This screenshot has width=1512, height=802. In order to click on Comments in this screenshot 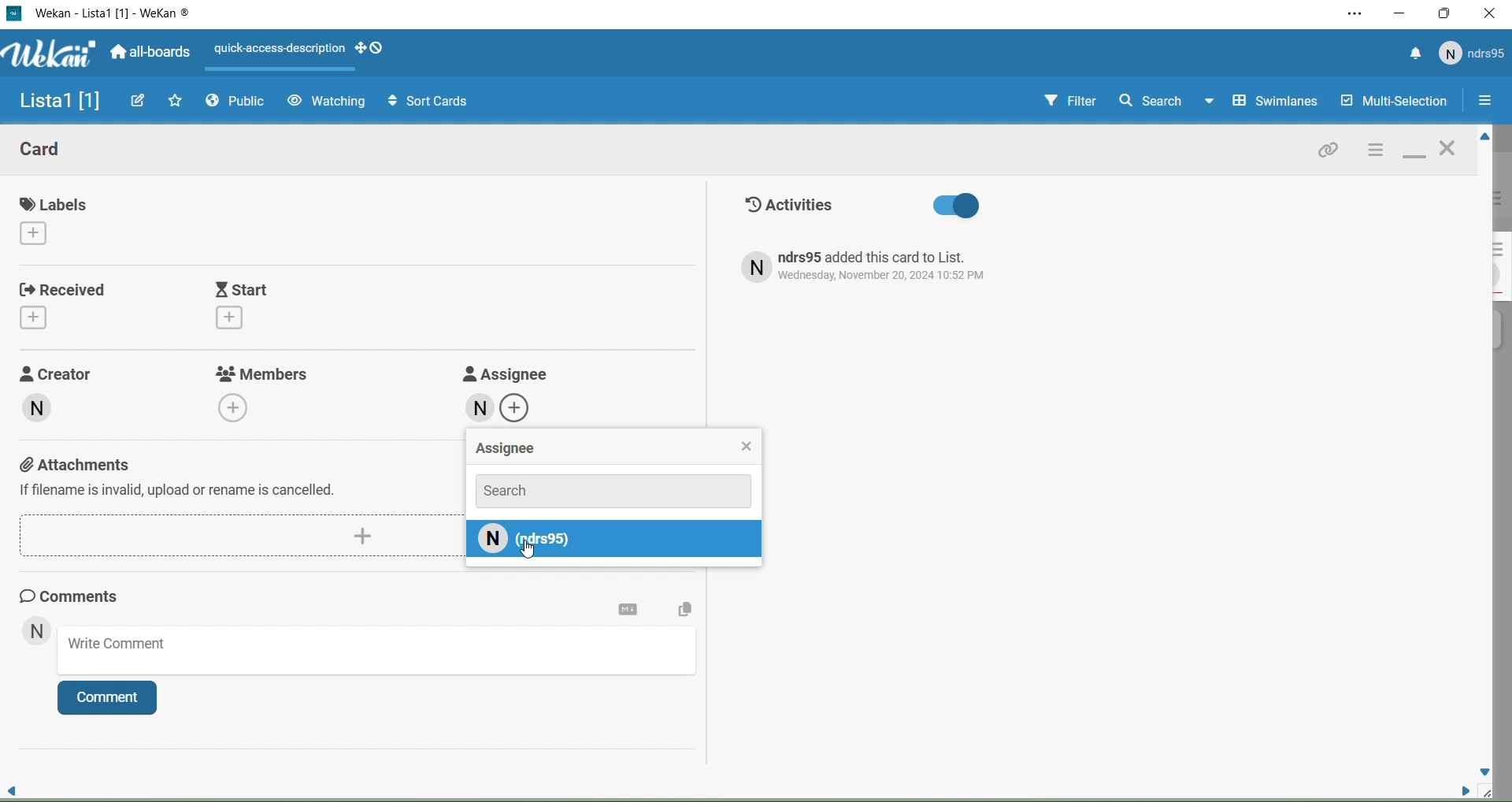, I will do `click(83, 596)`.